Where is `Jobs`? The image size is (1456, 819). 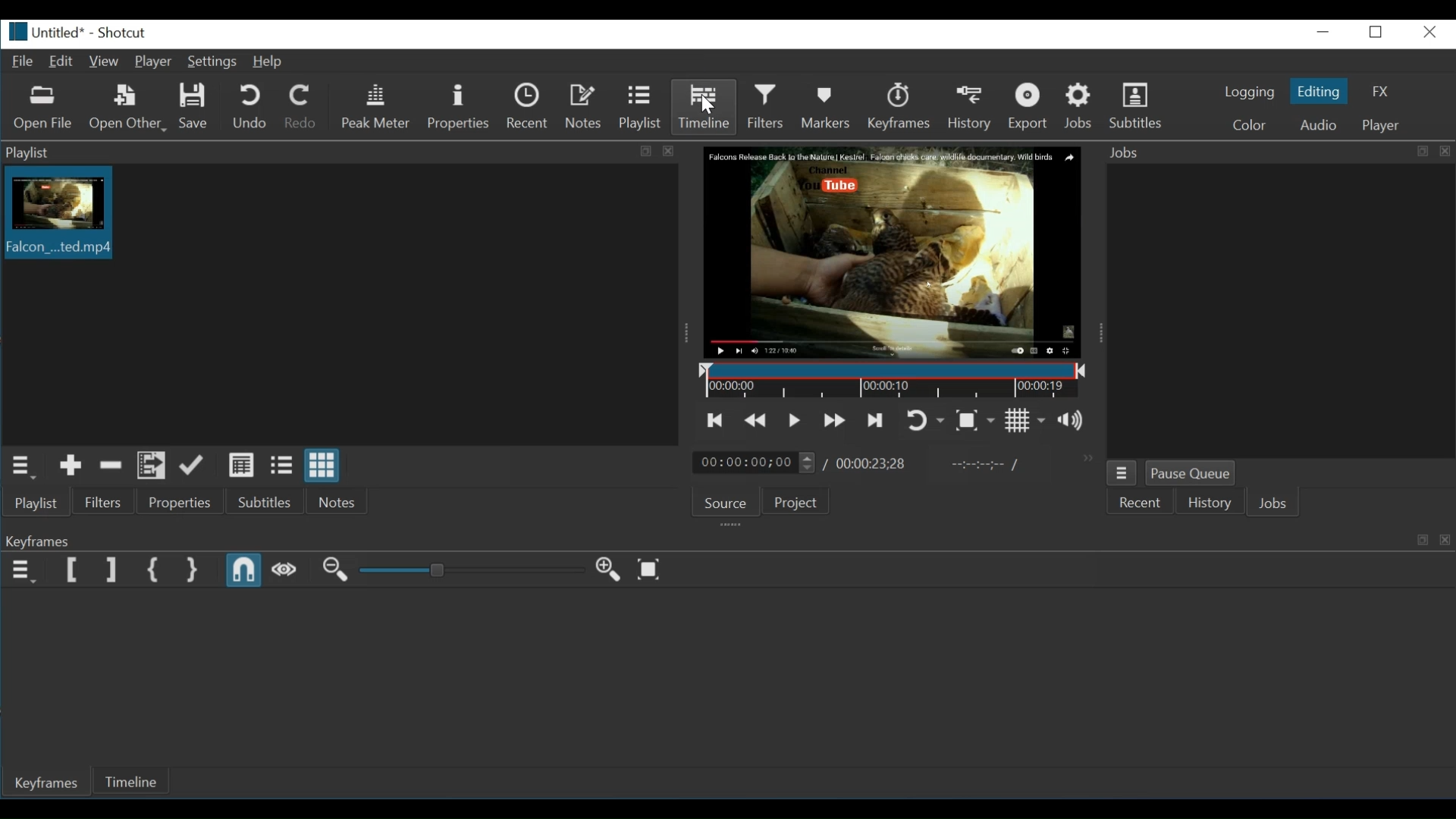 Jobs is located at coordinates (1080, 106).